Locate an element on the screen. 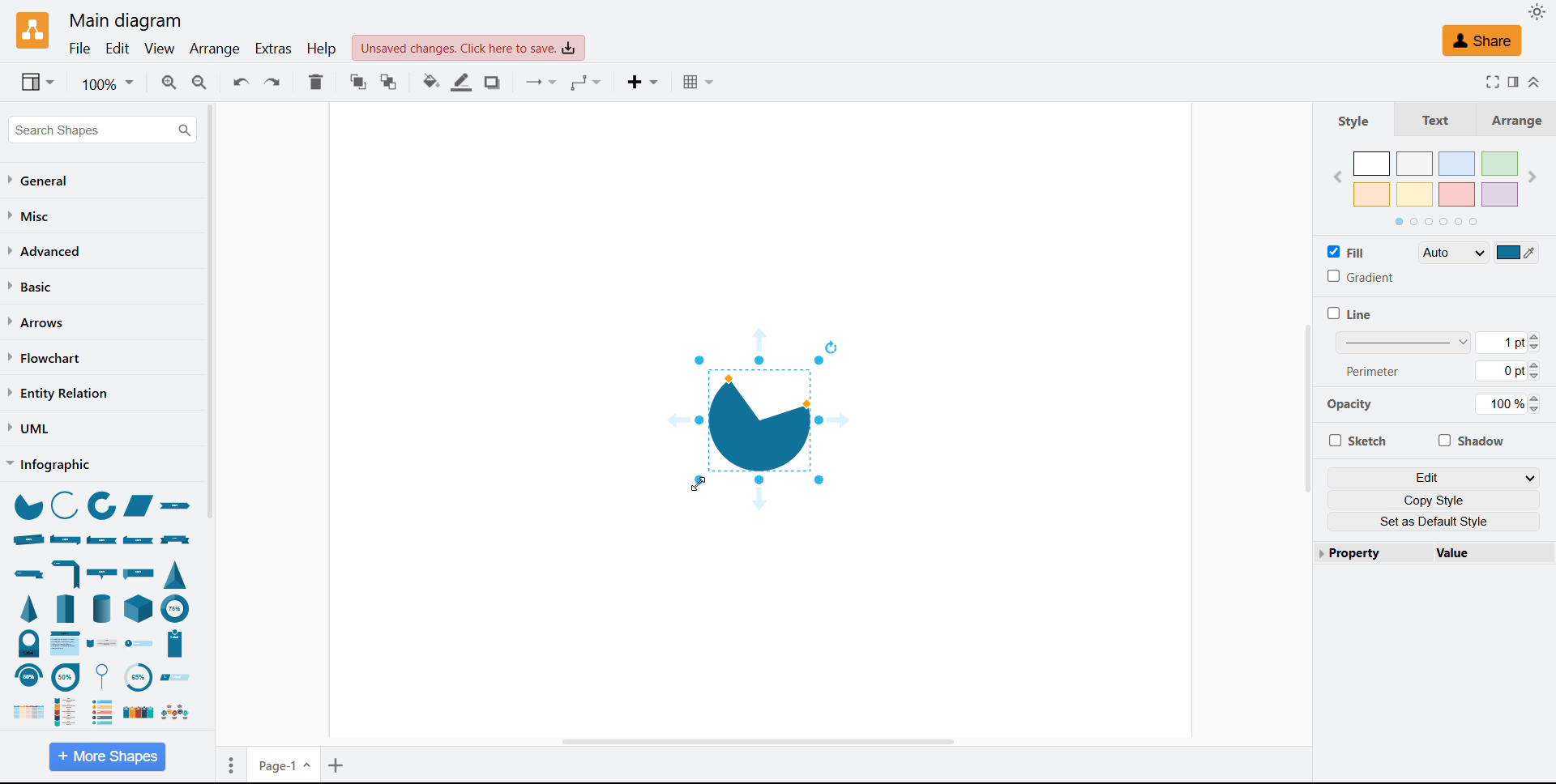 This screenshot has width=1556, height=784. Format  is located at coordinates (1512, 81).